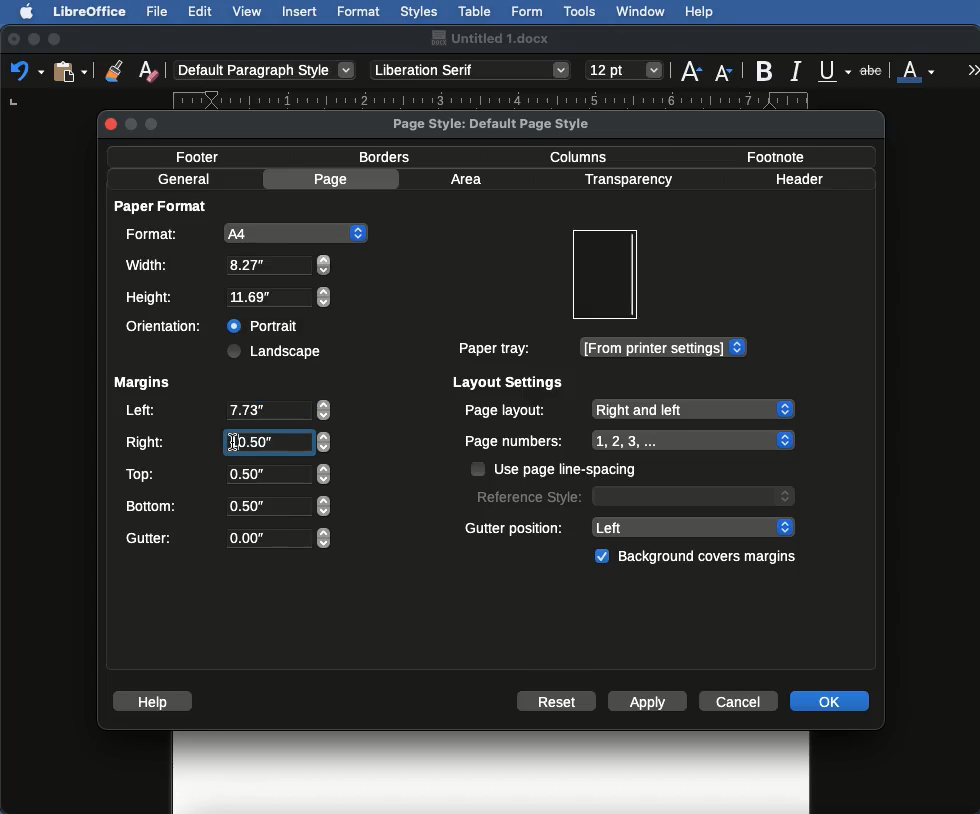 The image size is (980, 814). I want to click on OK, so click(829, 700).